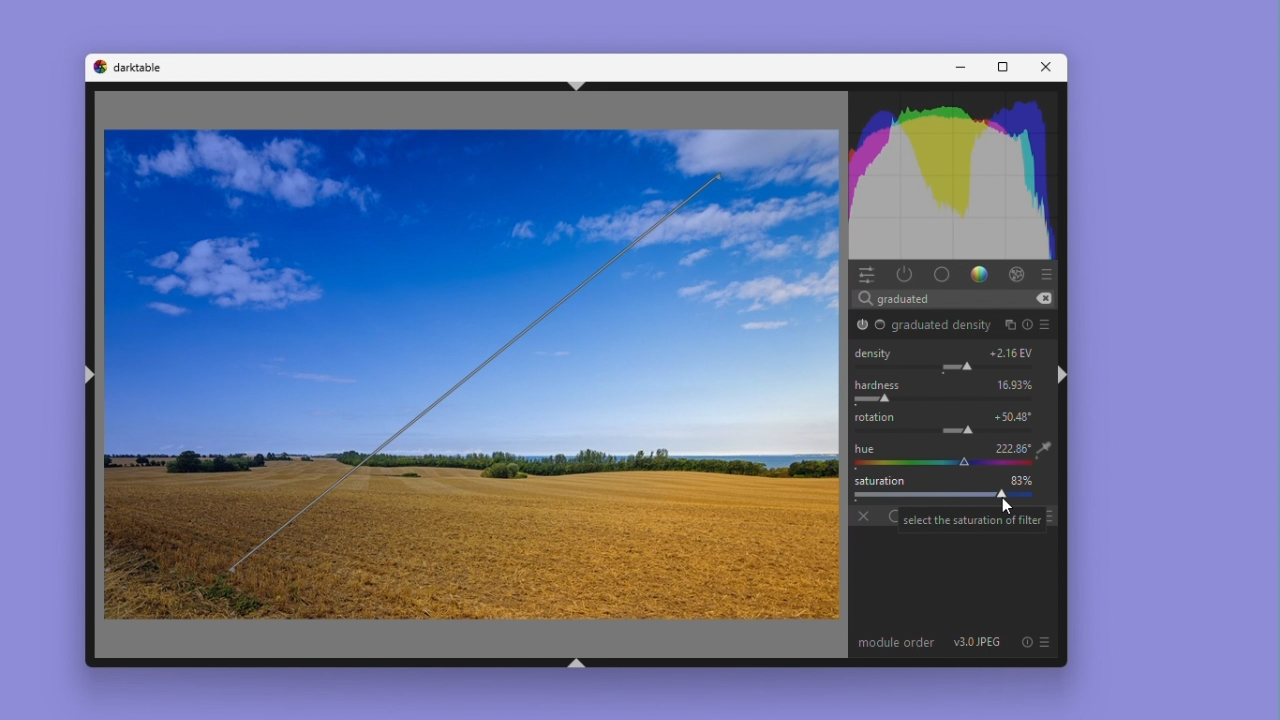  I want to click on multiple instances, so click(1009, 323).